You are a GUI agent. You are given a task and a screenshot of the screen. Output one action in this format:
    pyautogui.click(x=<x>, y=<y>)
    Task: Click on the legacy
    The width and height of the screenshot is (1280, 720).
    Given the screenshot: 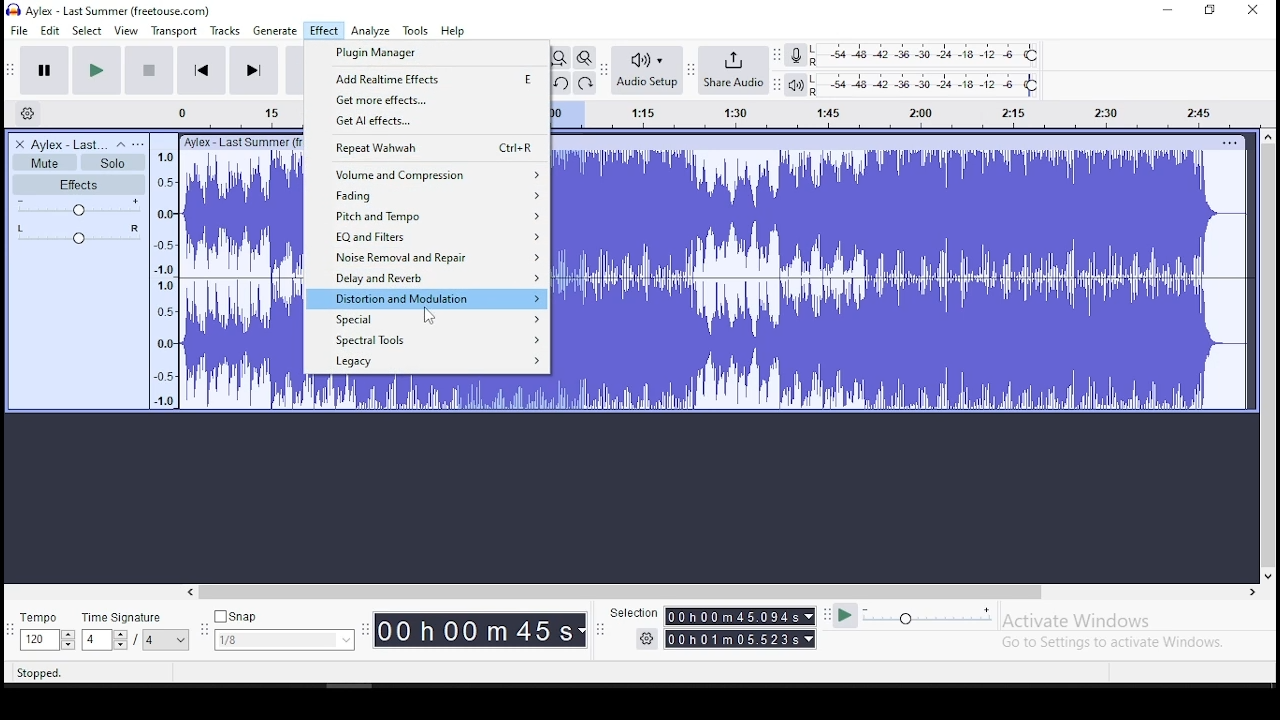 What is the action you would take?
    pyautogui.click(x=425, y=362)
    